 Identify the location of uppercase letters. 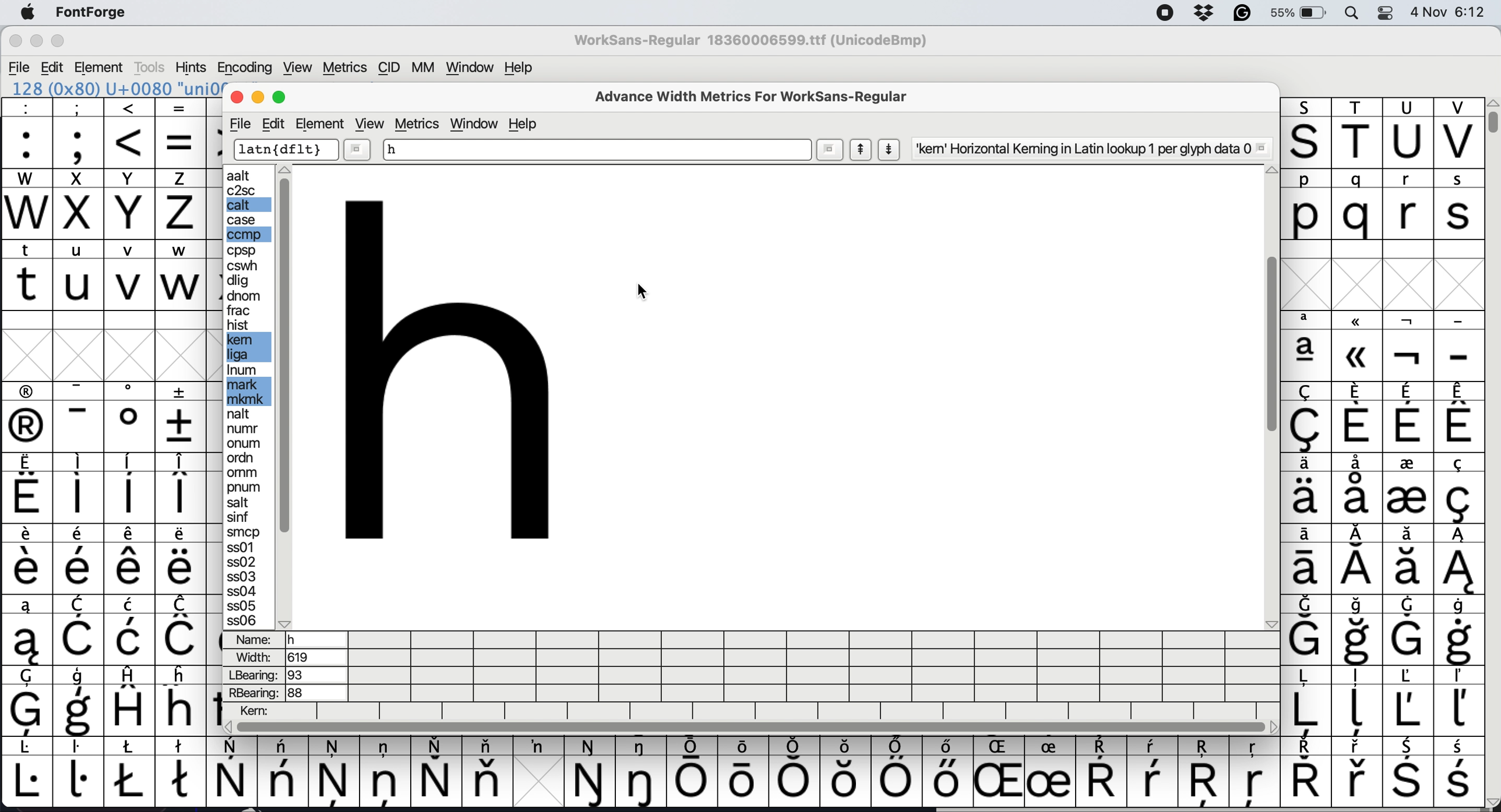
(1387, 105).